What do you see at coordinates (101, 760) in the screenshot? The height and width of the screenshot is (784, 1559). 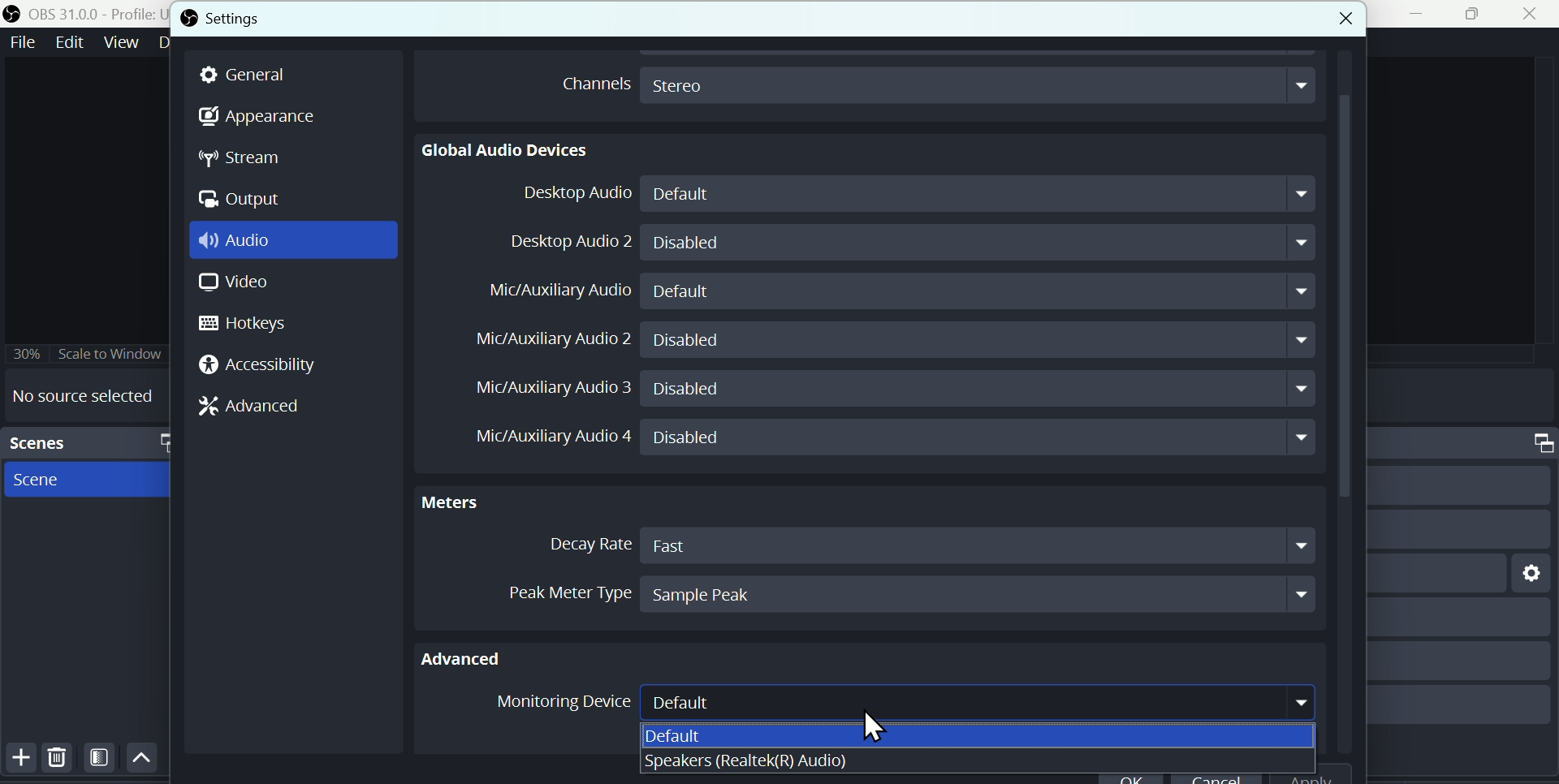 I see `Filter` at bounding box center [101, 760].